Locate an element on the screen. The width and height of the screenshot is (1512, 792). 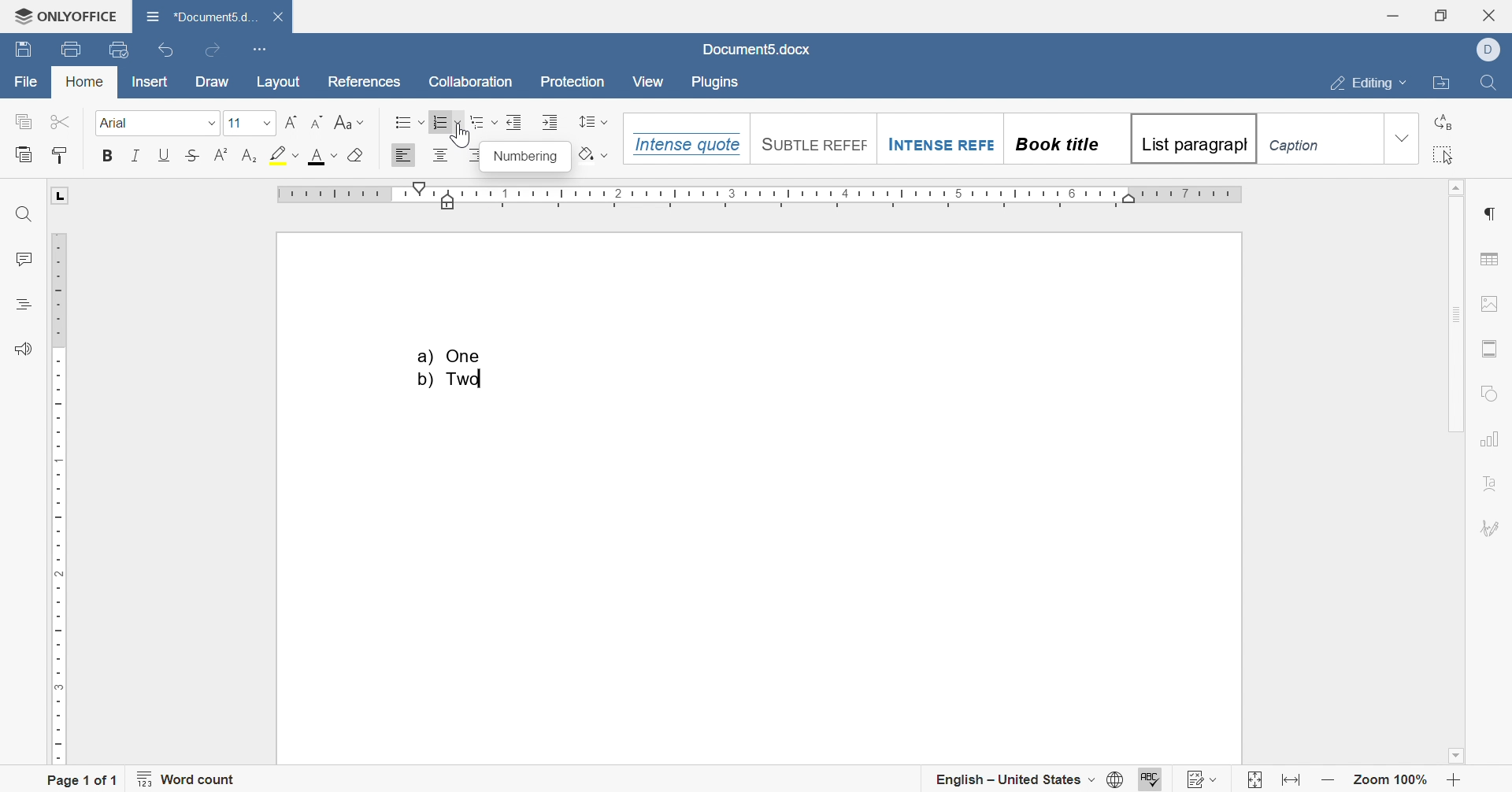
b) Two is located at coordinates (451, 379).